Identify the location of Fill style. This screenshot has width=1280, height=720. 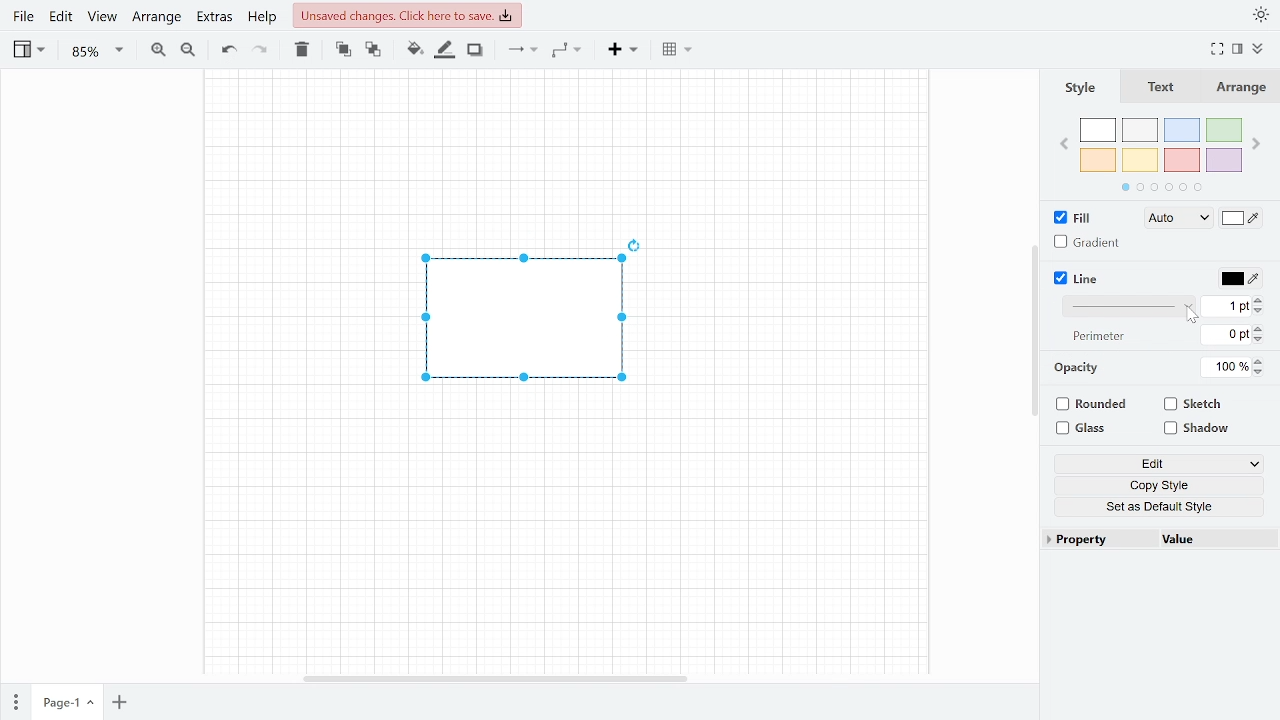
(1171, 218).